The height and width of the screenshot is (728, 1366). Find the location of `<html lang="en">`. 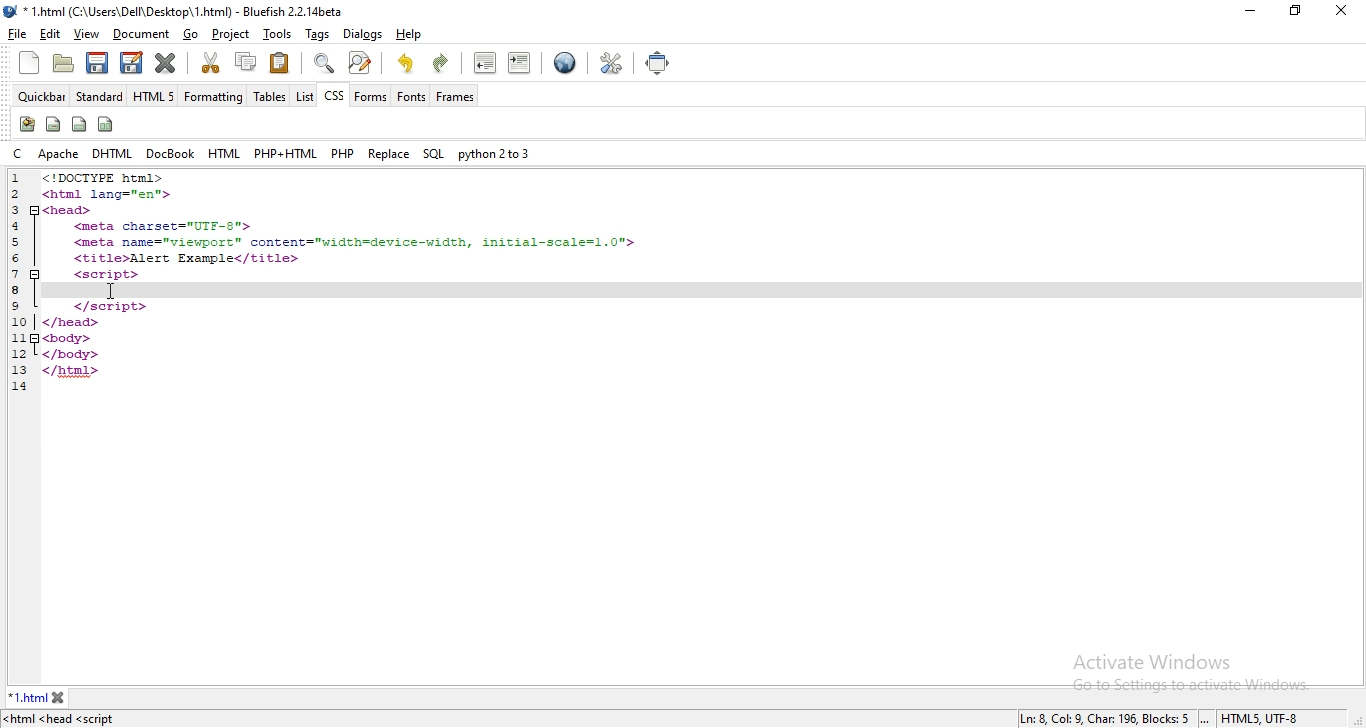

<html lang="en"> is located at coordinates (108, 193).